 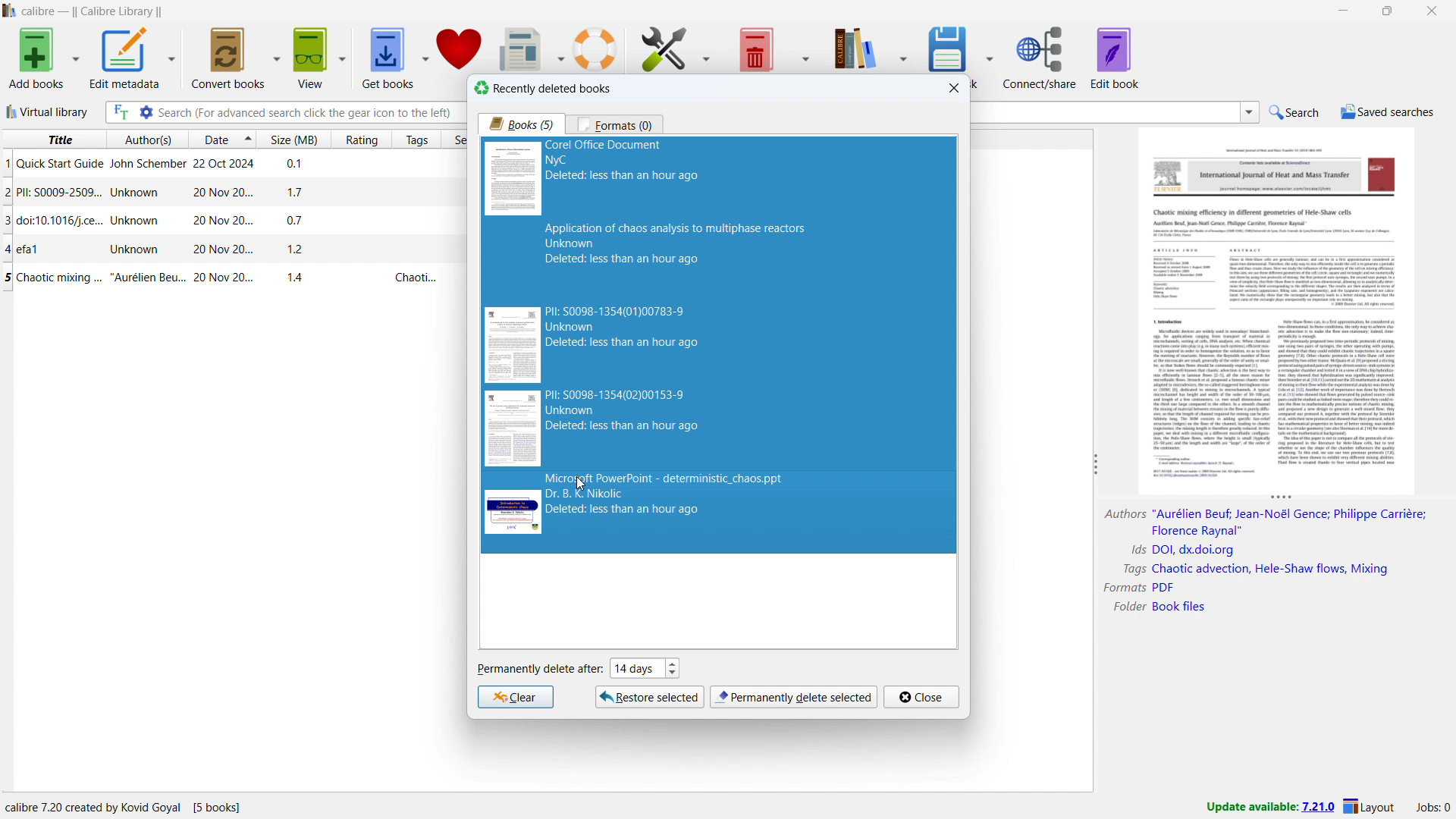 What do you see at coordinates (226, 165) in the screenshot?
I see `single book entry` at bounding box center [226, 165].